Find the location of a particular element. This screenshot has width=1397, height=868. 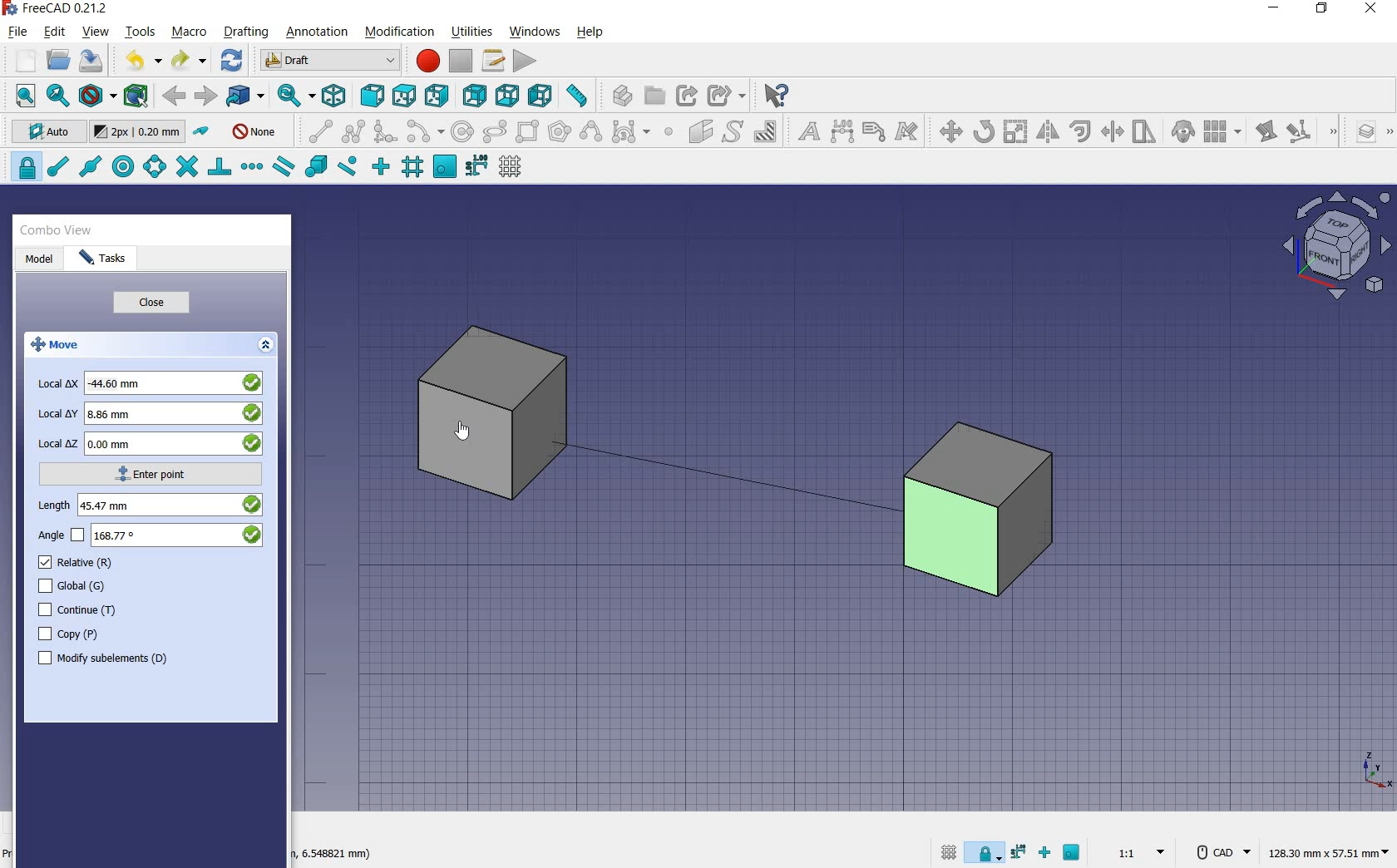

front is located at coordinates (371, 96).